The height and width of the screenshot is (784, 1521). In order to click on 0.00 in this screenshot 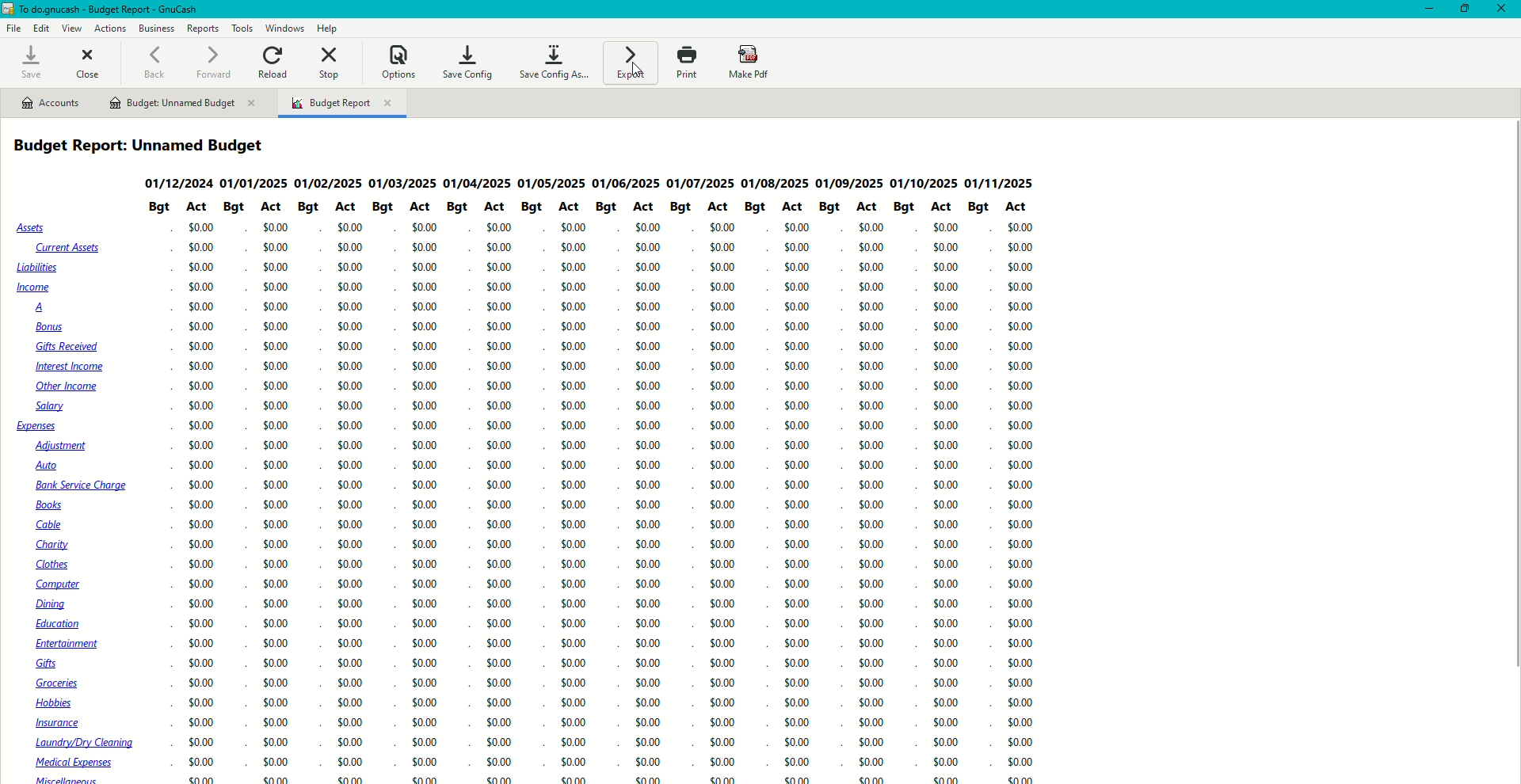, I will do `click(279, 446)`.